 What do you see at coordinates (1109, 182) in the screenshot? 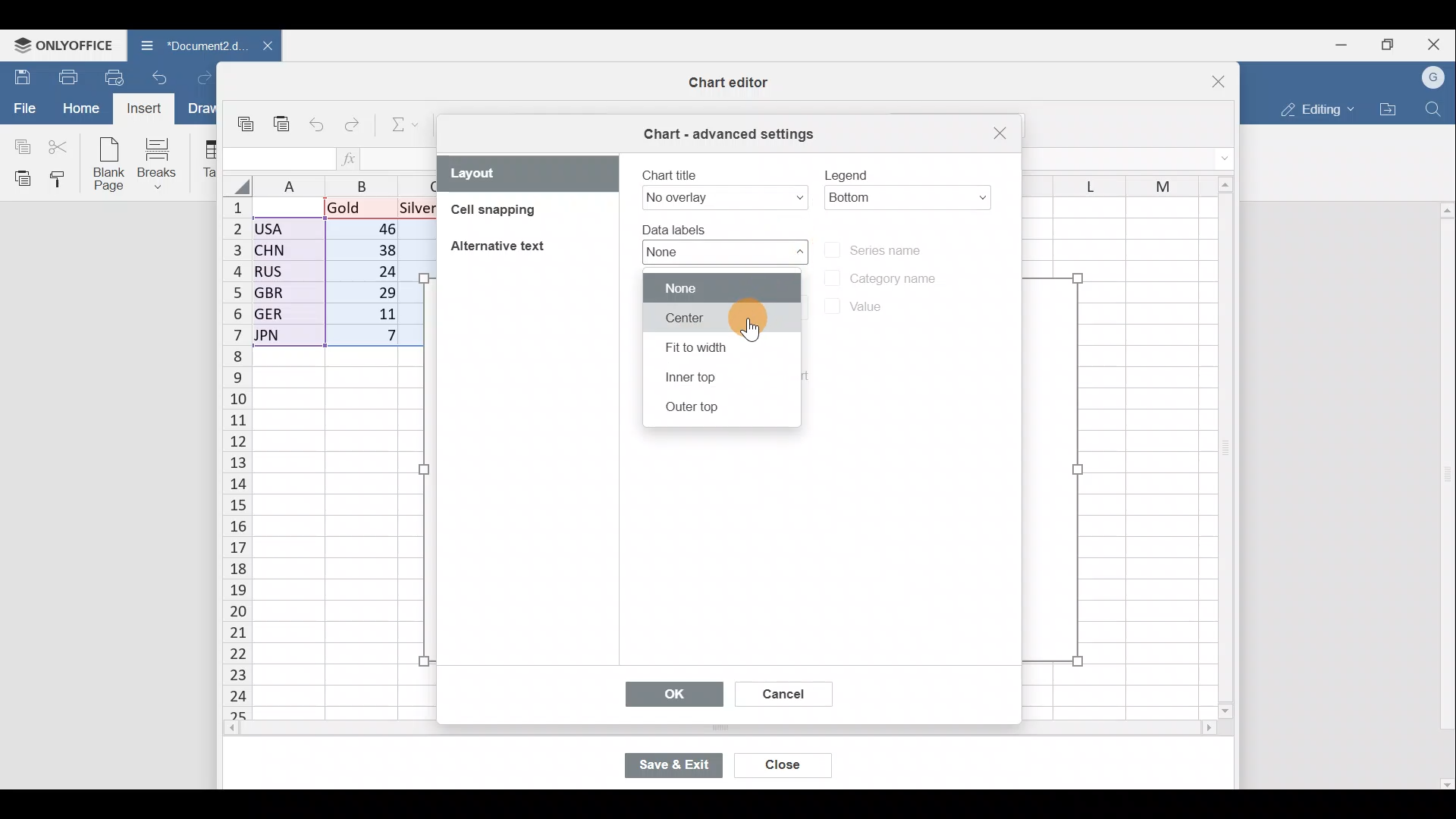
I see `Columns` at bounding box center [1109, 182].